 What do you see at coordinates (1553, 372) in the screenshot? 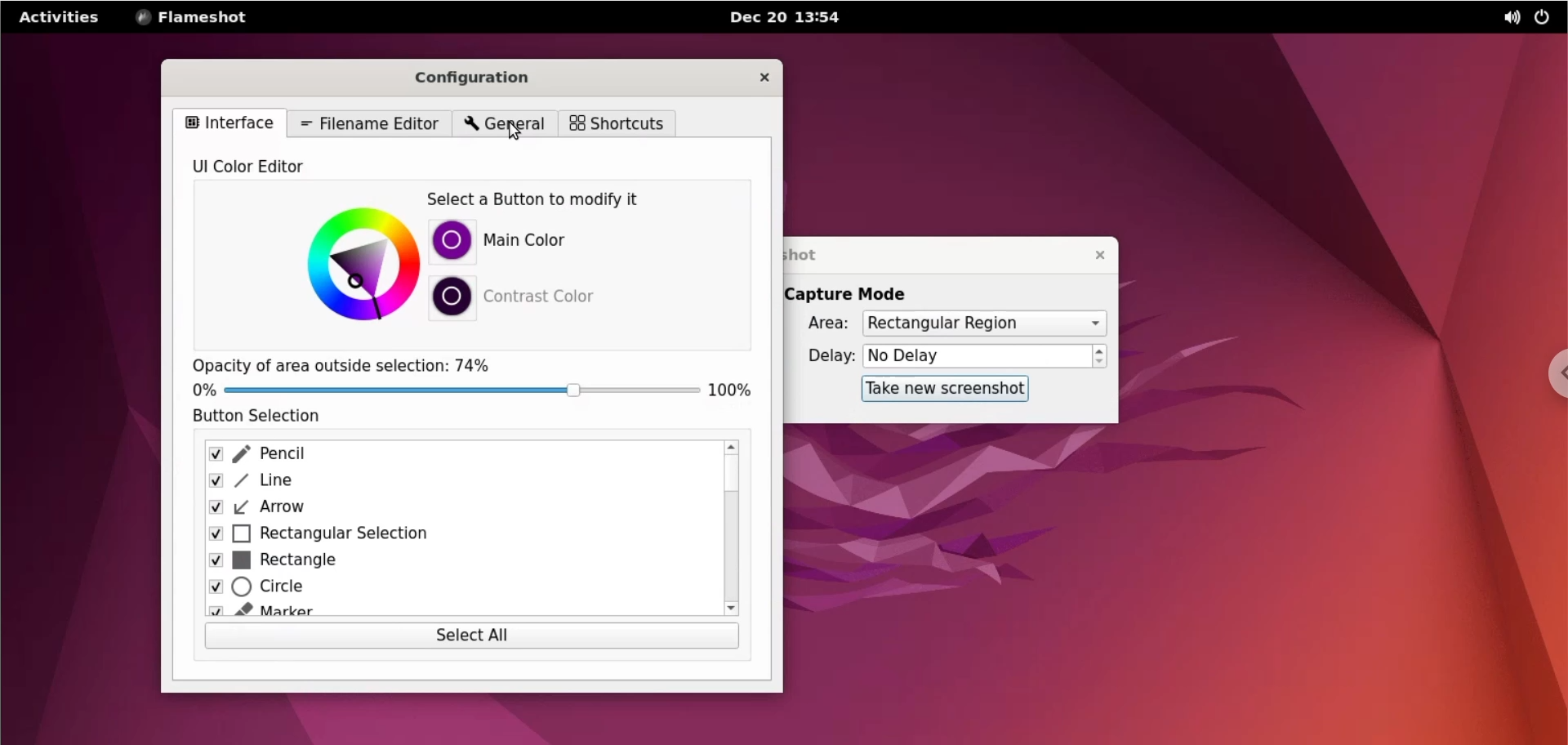
I see `chrome options` at bounding box center [1553, 372].